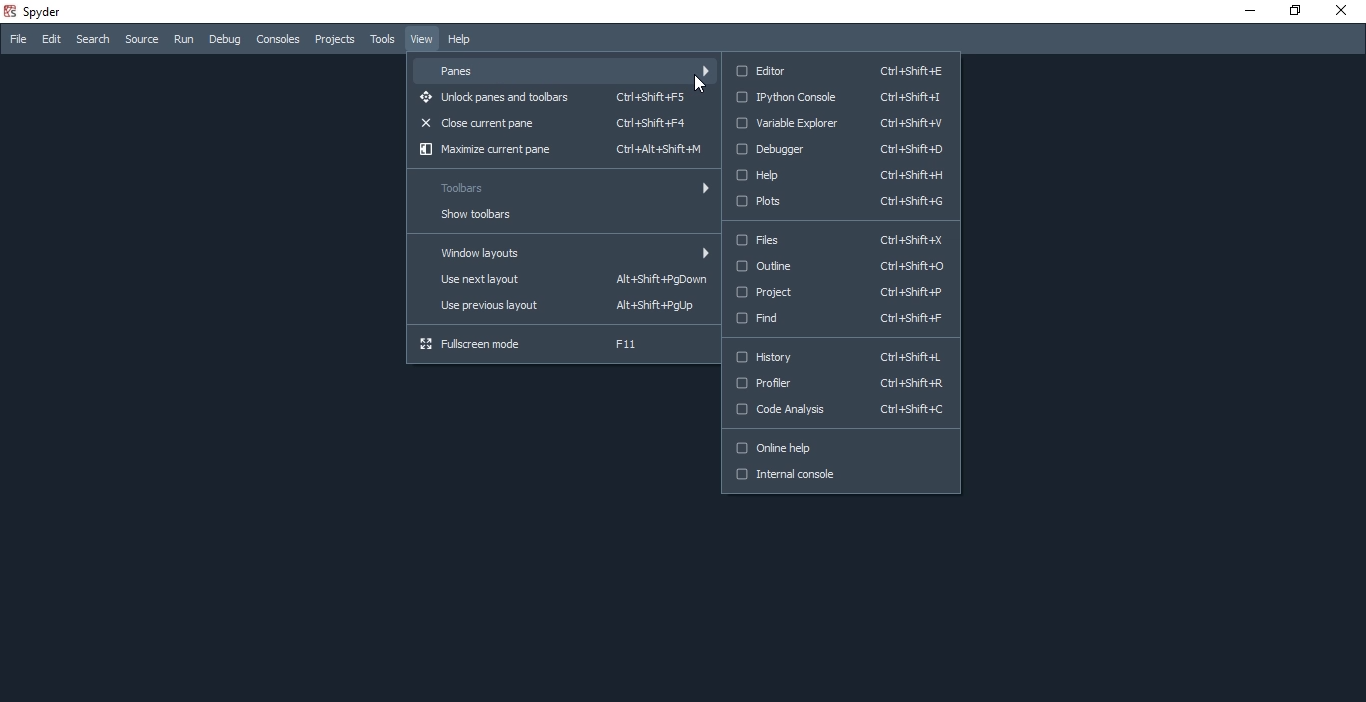 Image resolution: width=1366 pixels, height=702 pixels. What do you see at coordinates (560, 281) in the screenshot?
I see `Use next layout` at bounding box center [560, 281].